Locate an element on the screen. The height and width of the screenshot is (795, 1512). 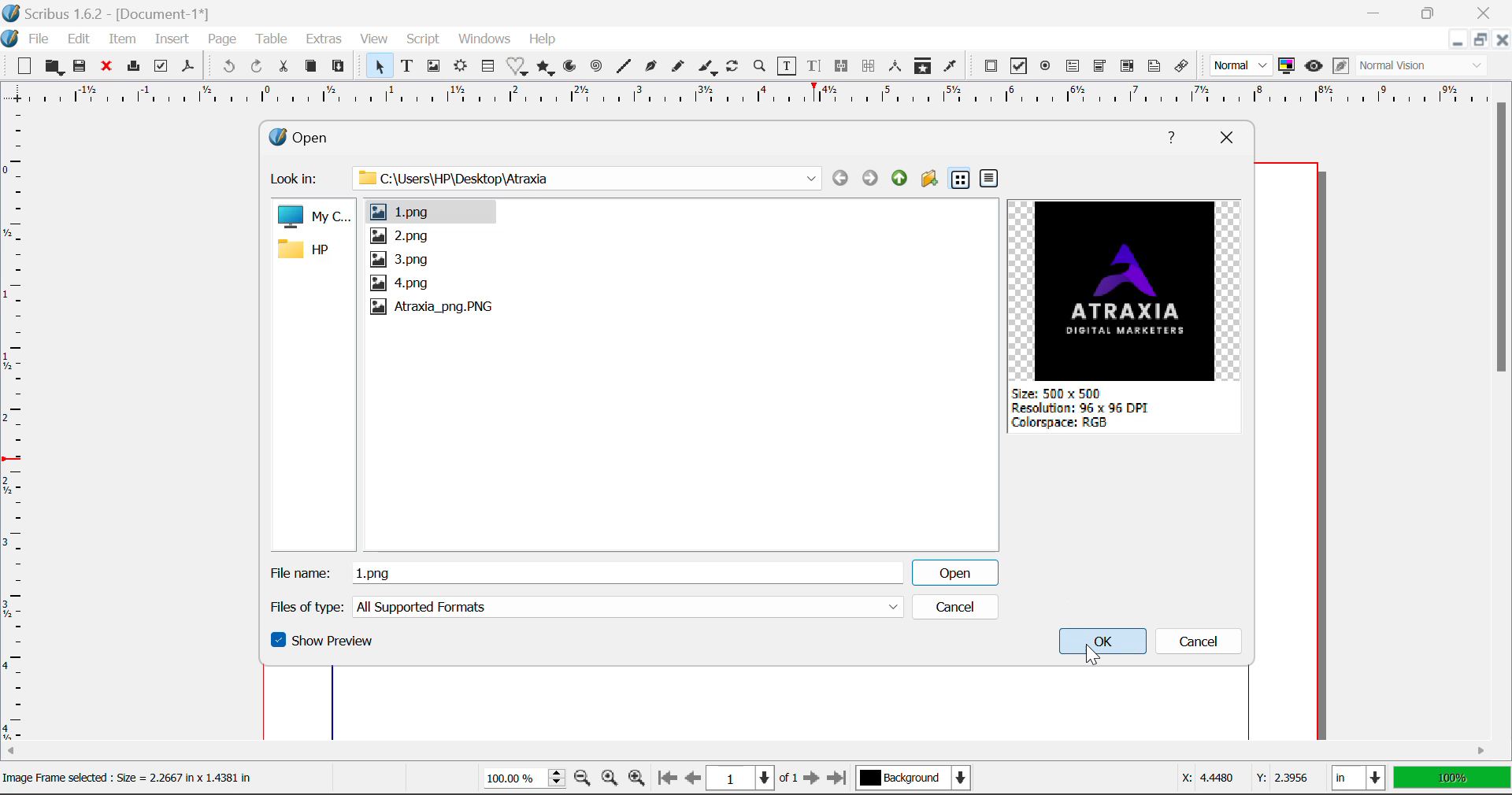
Refresh is located at coordinates (736, 68).